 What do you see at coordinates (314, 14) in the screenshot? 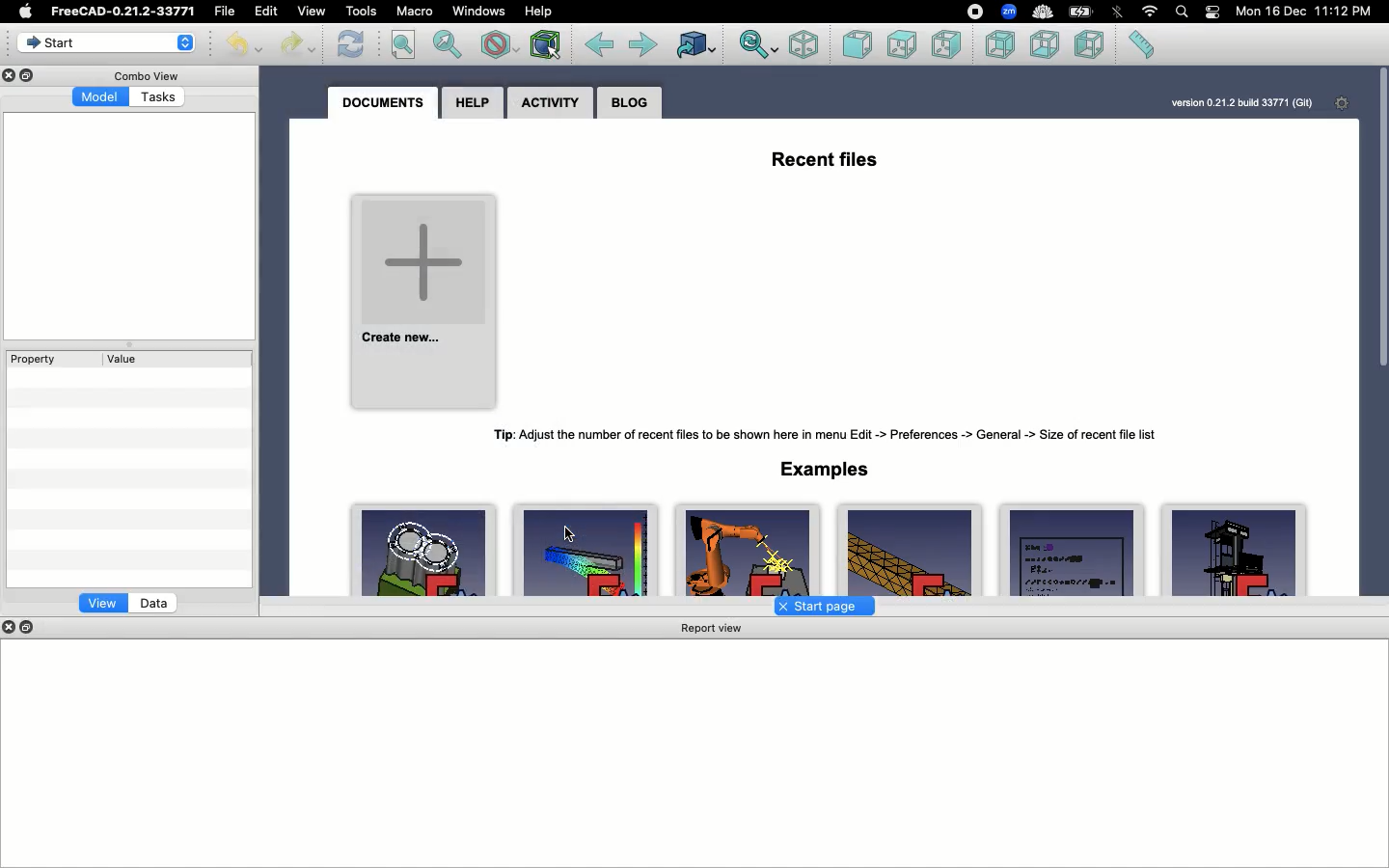
I see `View` at bounding box center [314, 14].